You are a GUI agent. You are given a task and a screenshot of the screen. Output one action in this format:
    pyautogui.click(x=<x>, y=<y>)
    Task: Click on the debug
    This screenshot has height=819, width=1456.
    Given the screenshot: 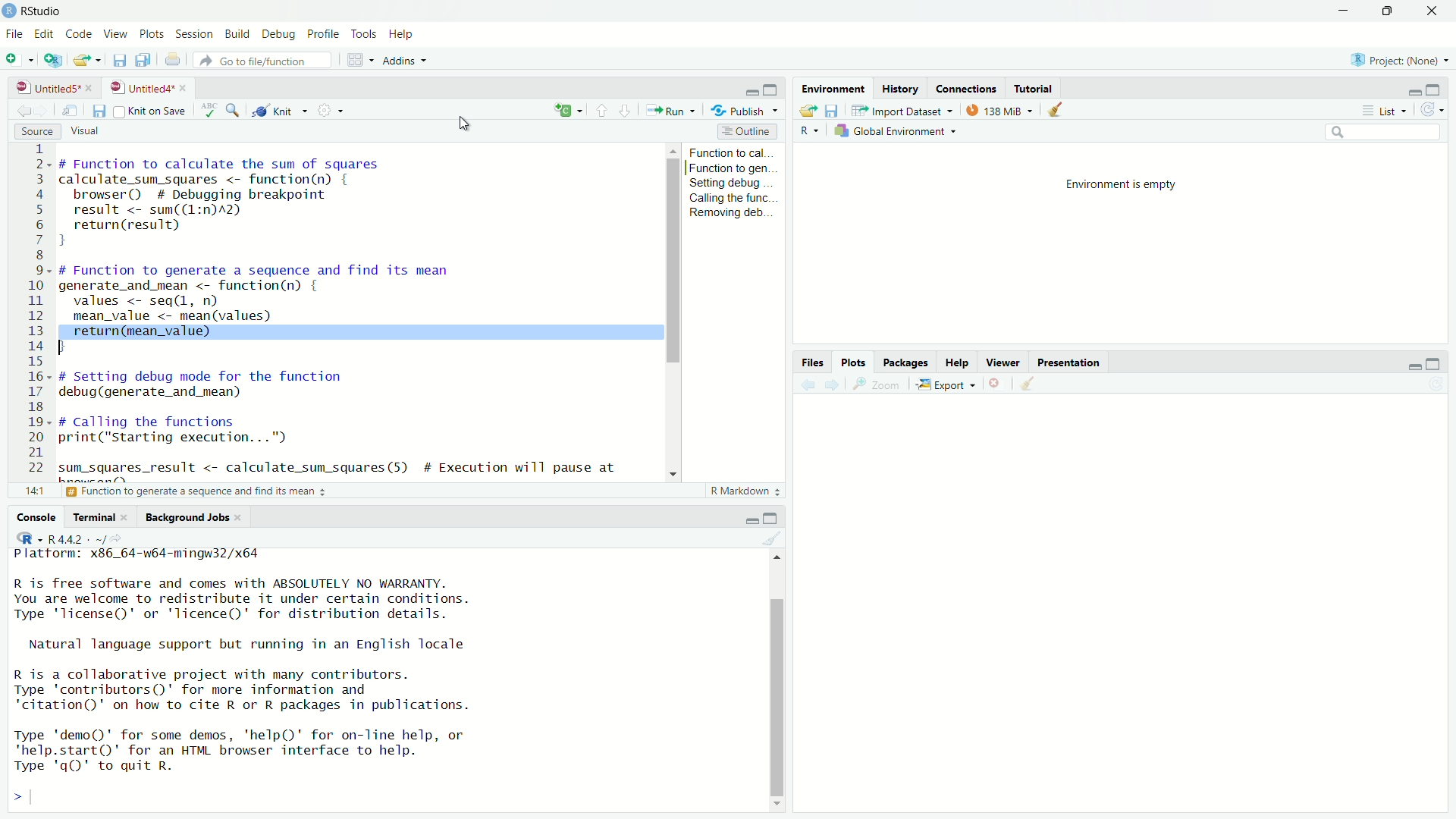 What is the action you would take?
    pyautogui.click(x=278, y=34)
    